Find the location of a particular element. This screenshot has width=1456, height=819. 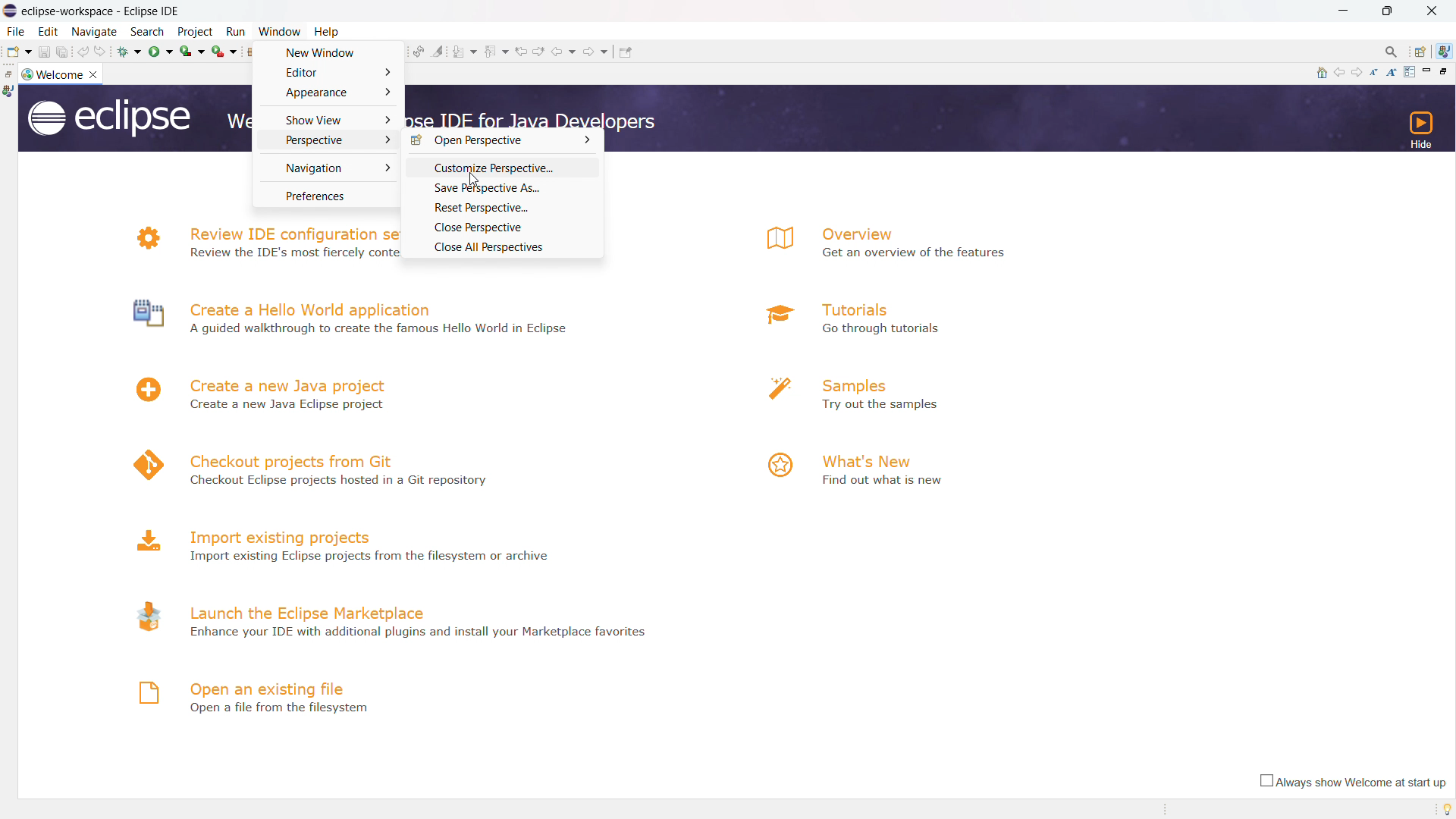

navigate to next topic is located at coordinates (1358, 73).